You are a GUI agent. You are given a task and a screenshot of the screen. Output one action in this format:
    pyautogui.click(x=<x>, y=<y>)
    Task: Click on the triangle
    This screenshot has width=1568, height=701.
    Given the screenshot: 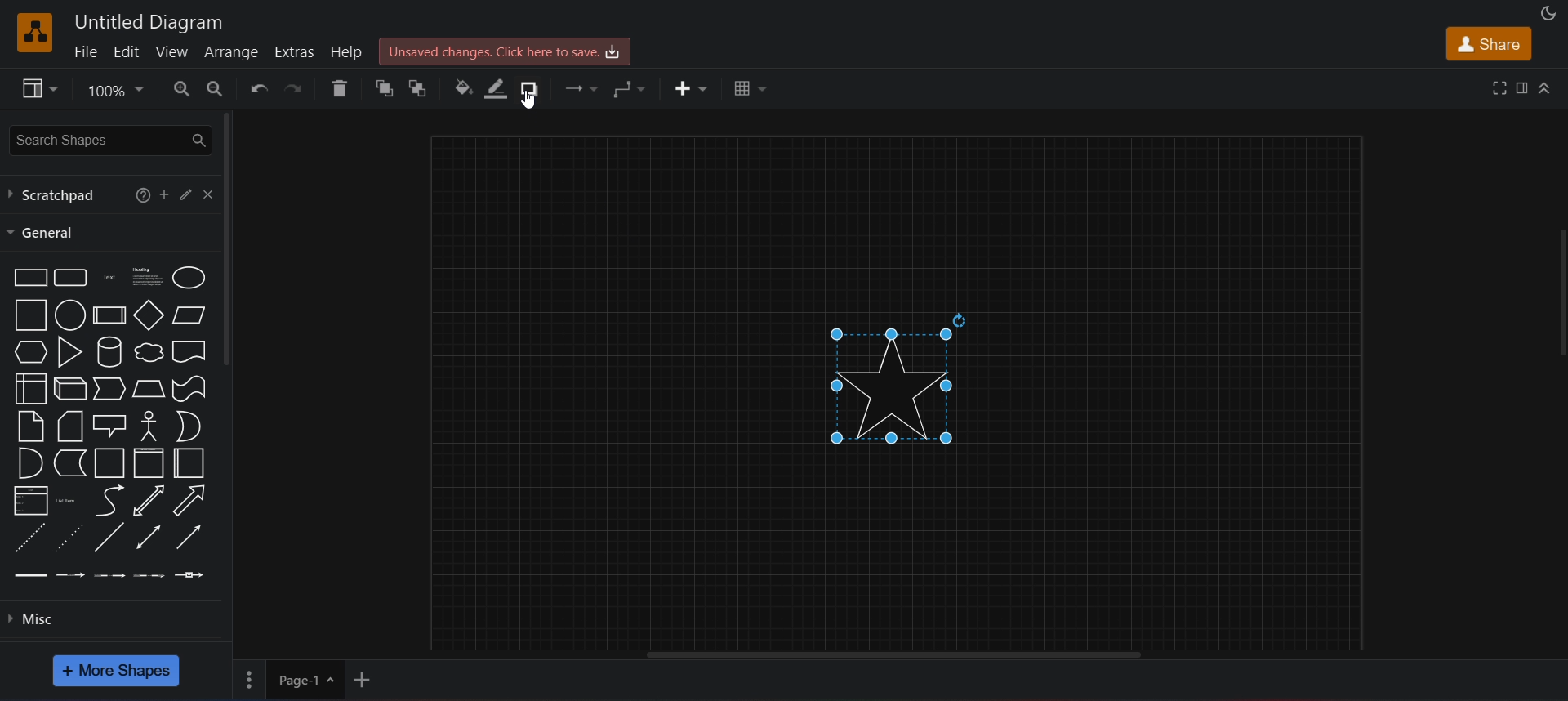 What is the action you would take?
    pyautogui.click(x=67, y=353)
    